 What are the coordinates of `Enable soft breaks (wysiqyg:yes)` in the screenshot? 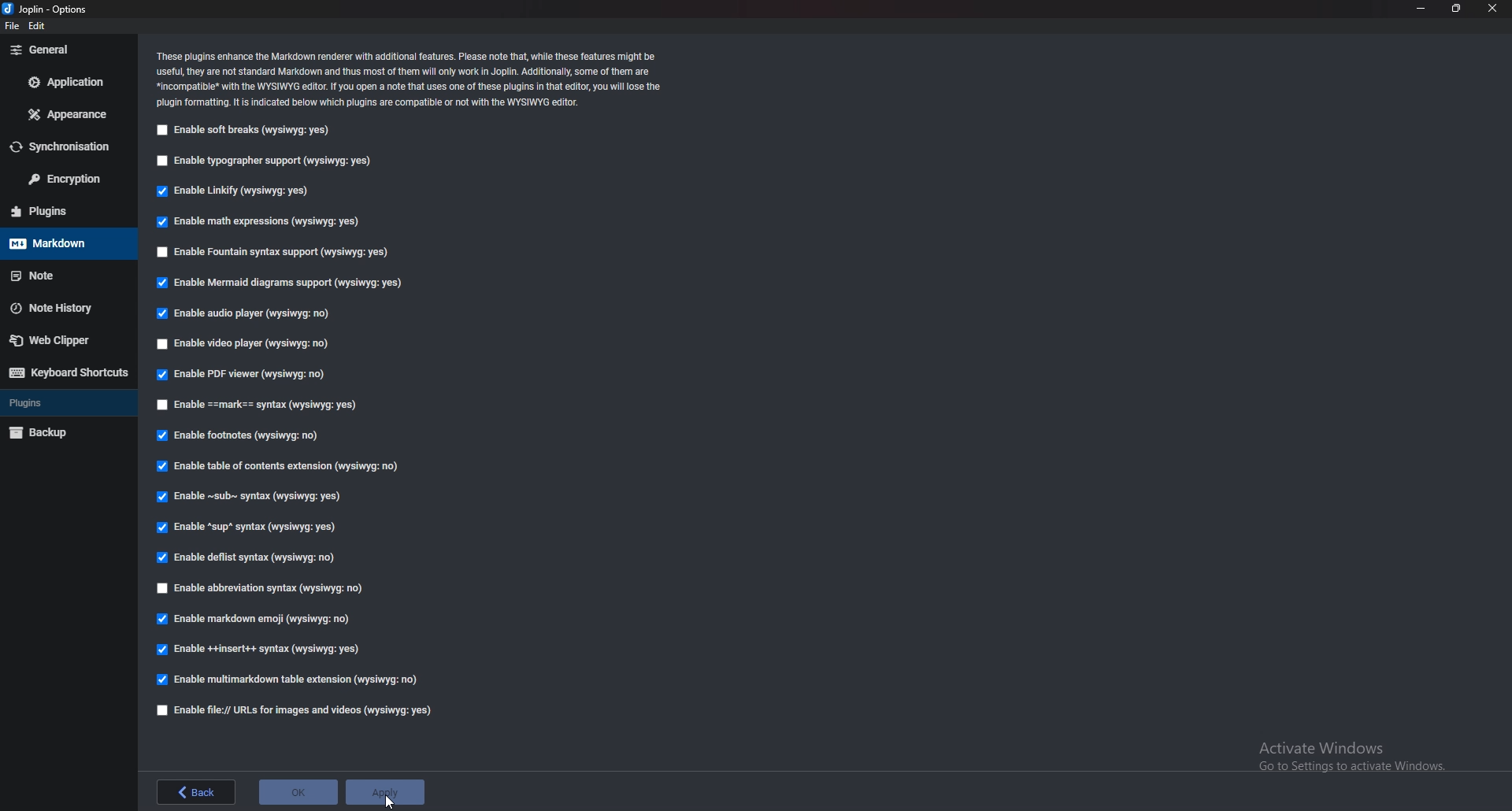 It's located at (243, 131).